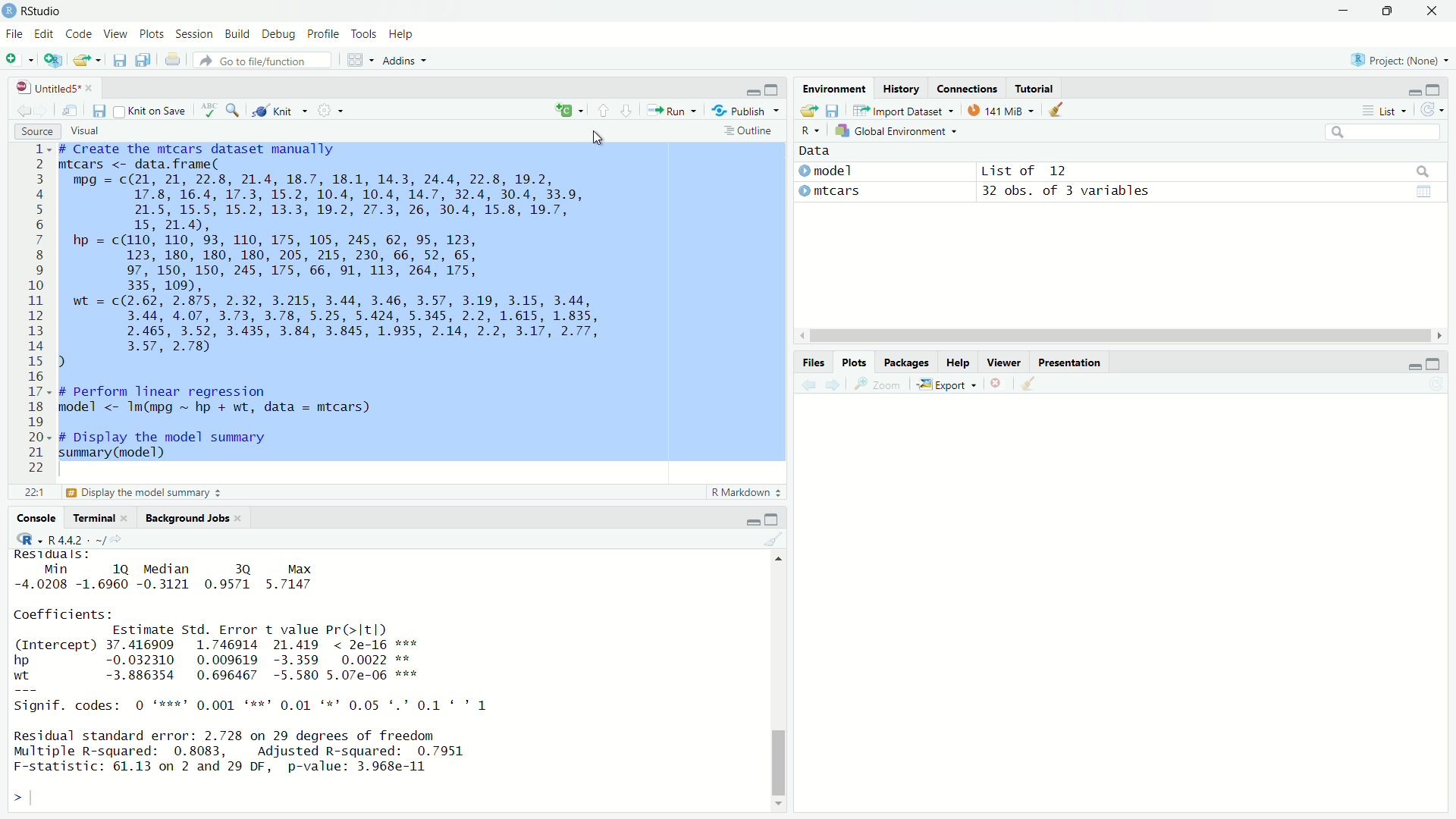  Describe the element at coordinates (750, 93) in the screenshot. I see `minimize` at that location.